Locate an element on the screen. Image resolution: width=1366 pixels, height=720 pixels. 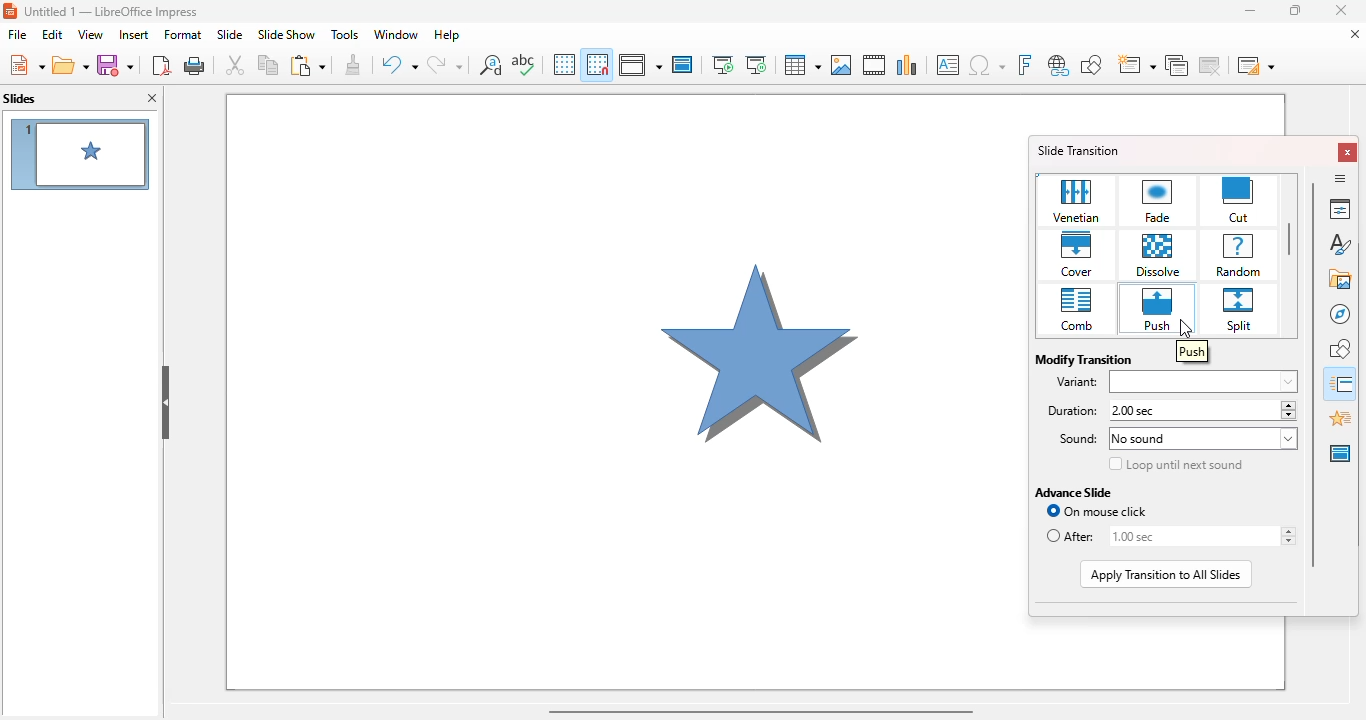
slide is located at coordinates (229, 35).